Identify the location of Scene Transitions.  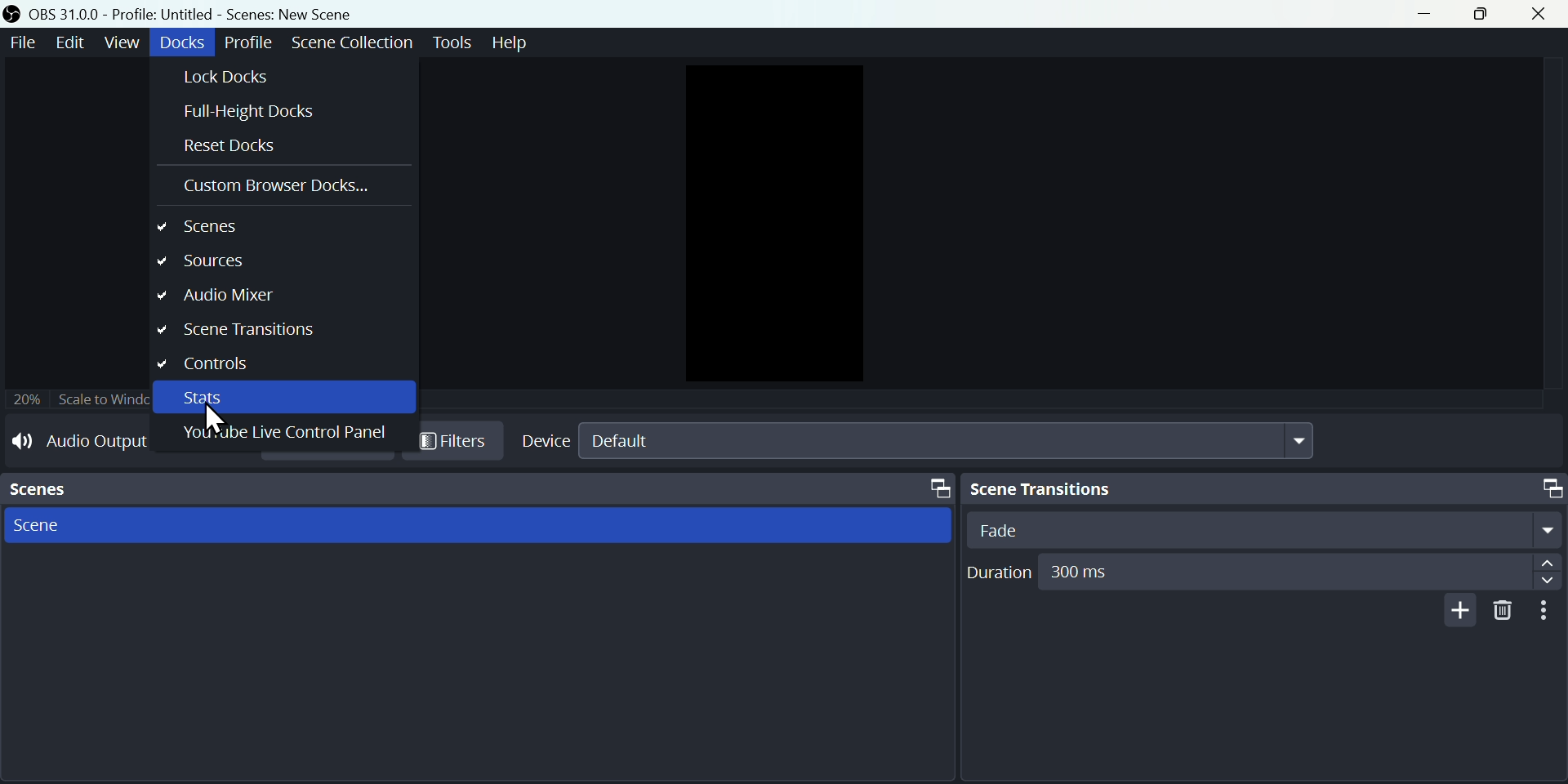
(246, 329).